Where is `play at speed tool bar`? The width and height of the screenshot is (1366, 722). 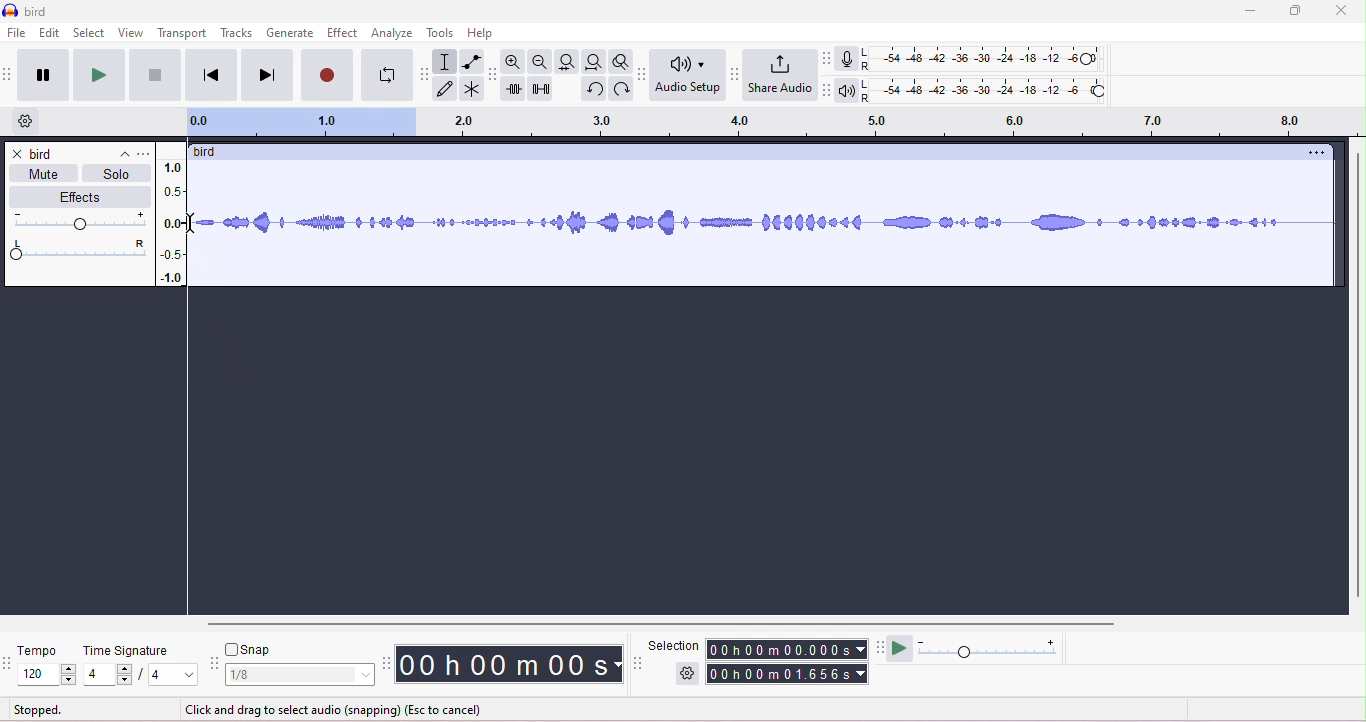
play at speed tool bar is located at coordinates (878, 646).